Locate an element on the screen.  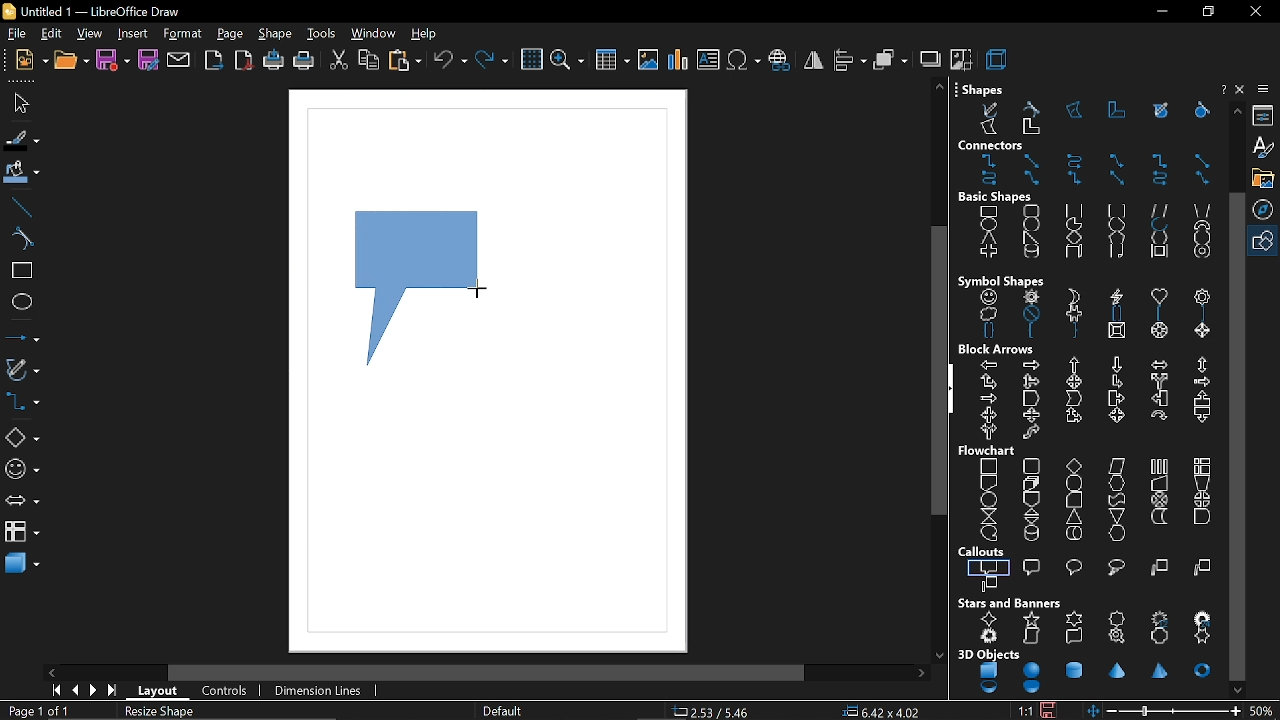
redo is located at coordinates (493, 61).